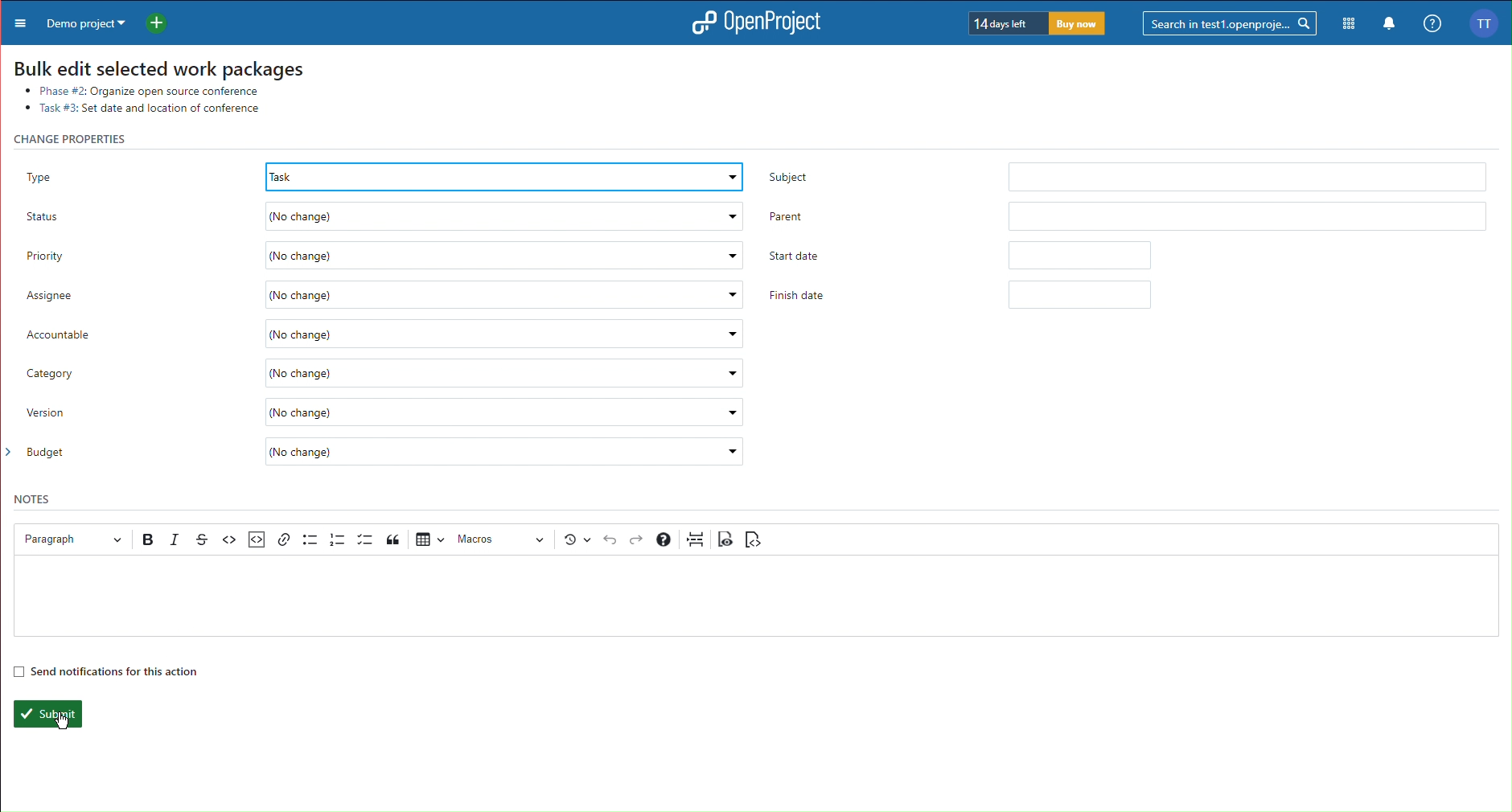 This screenshot has height=812, width=1512. I want to click on Parent, so click(1128, 215).